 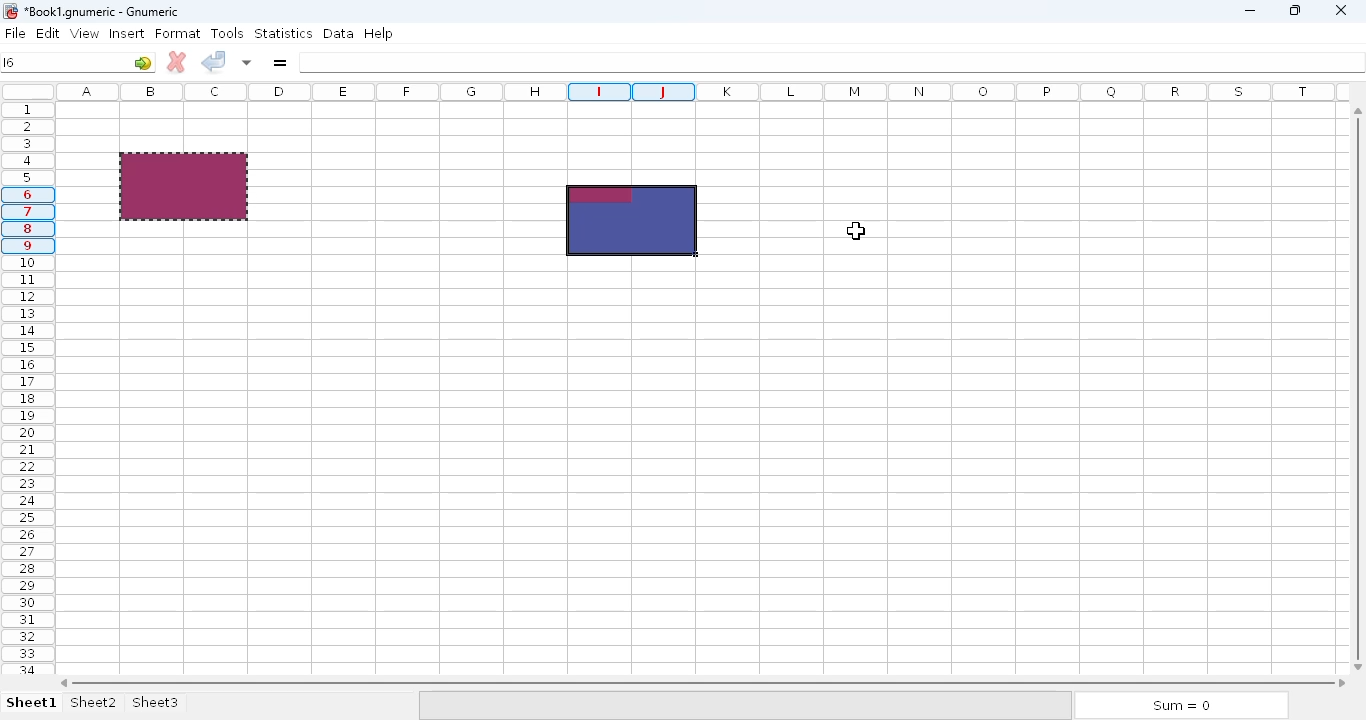 I want to click on format, so click(x=178, y=33).